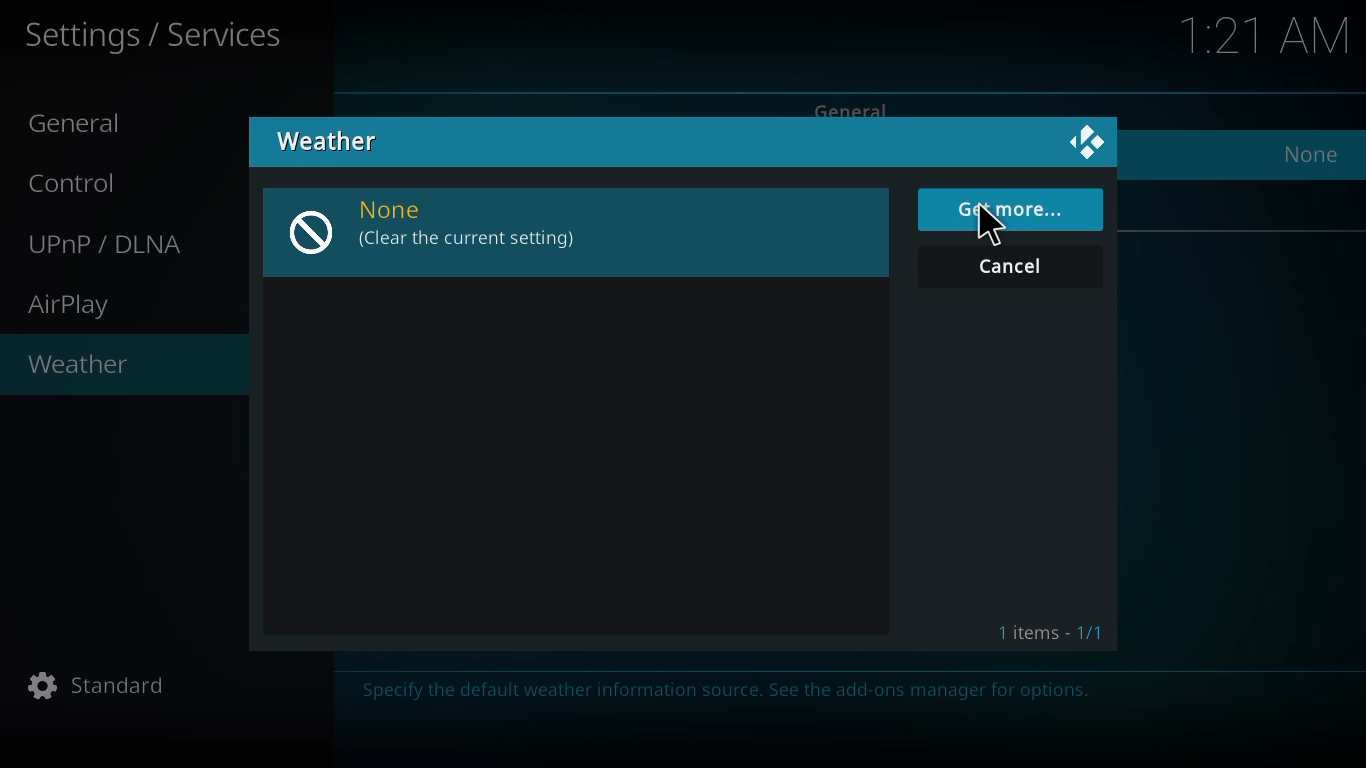  What do you see at coordinates (79, 366) in the screenshot?
I see `weather` at bounding box center [79, 366].